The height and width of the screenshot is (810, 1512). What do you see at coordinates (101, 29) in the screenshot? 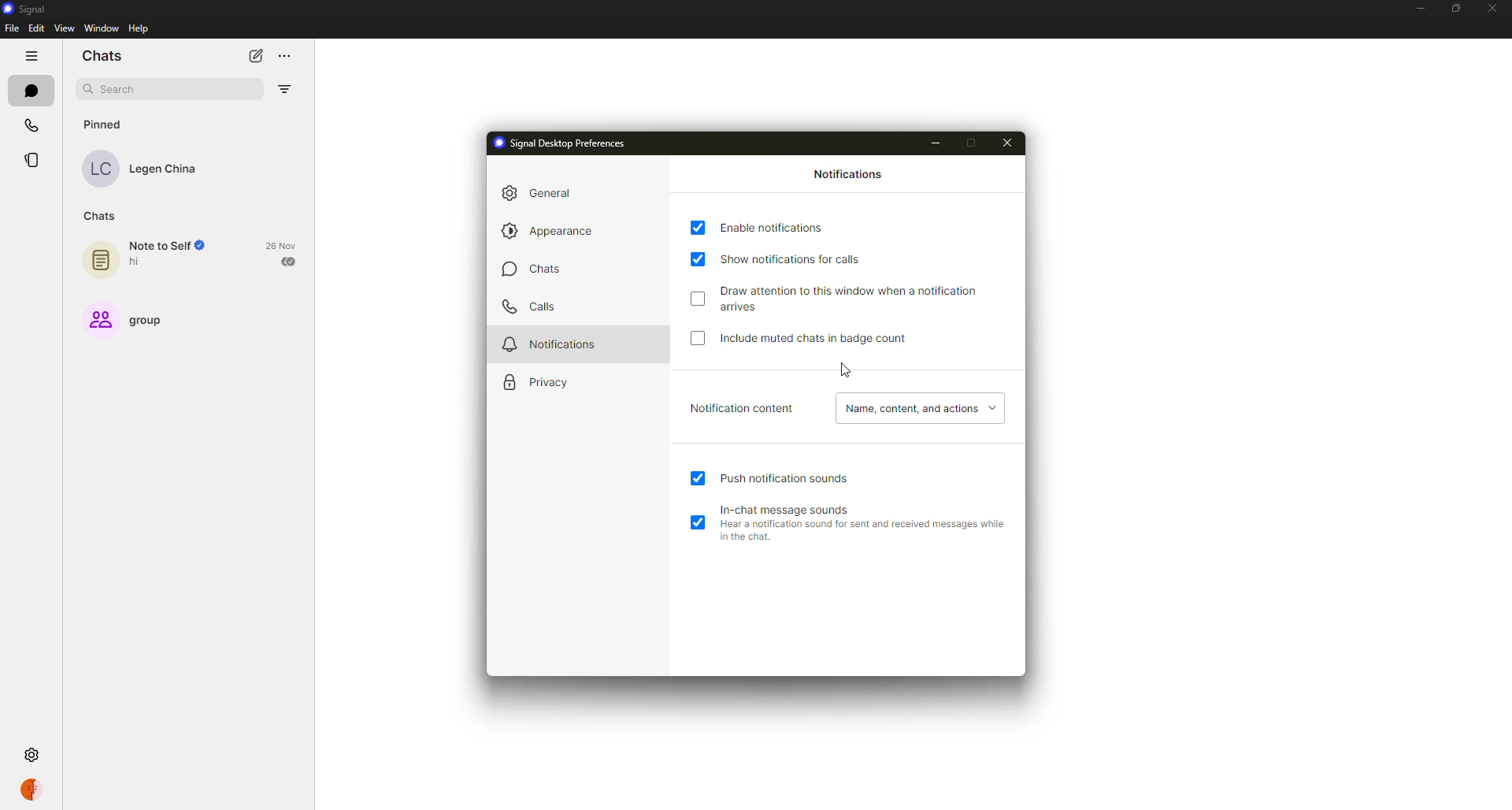
I see `window` at bounding box center [101, 29].